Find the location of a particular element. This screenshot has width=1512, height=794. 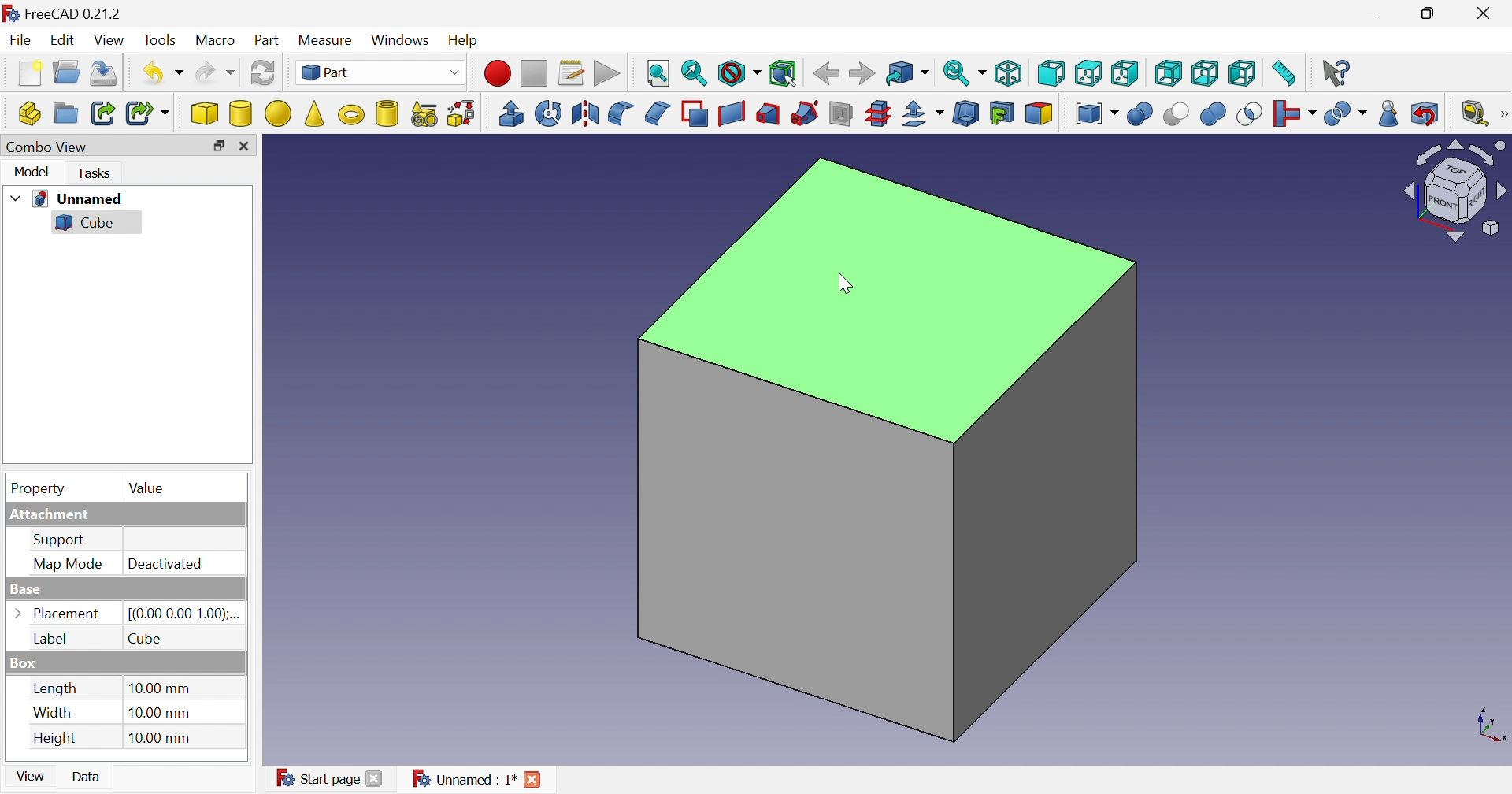

Combo View is located at coordinates (47, 147).